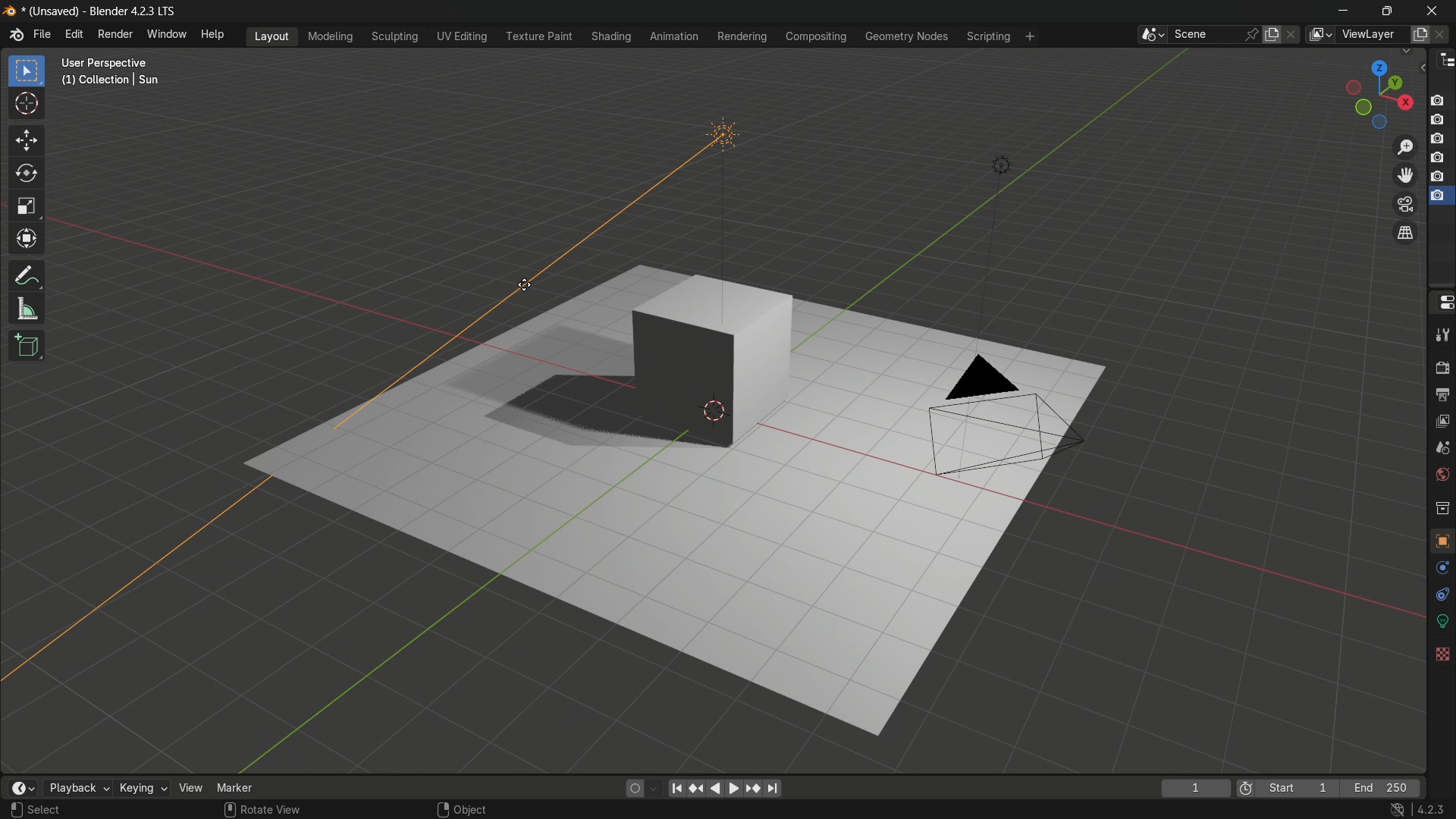  Describe the element at coordinates (726, 789) in the screenshot. I see `play animation` at that location.